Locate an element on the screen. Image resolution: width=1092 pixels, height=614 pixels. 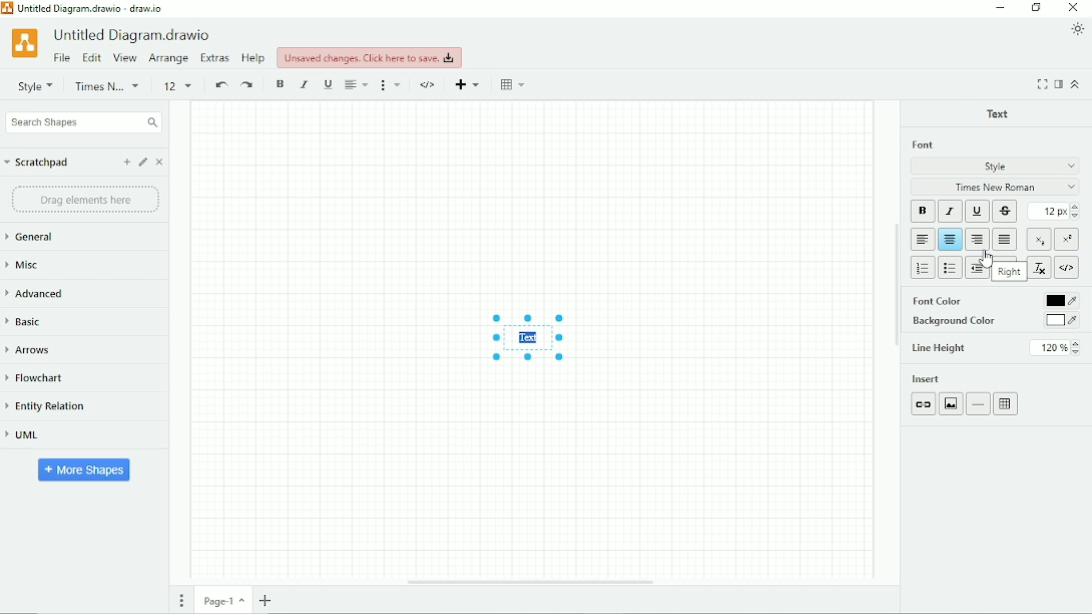
Align is located at coordinates (357, 85).